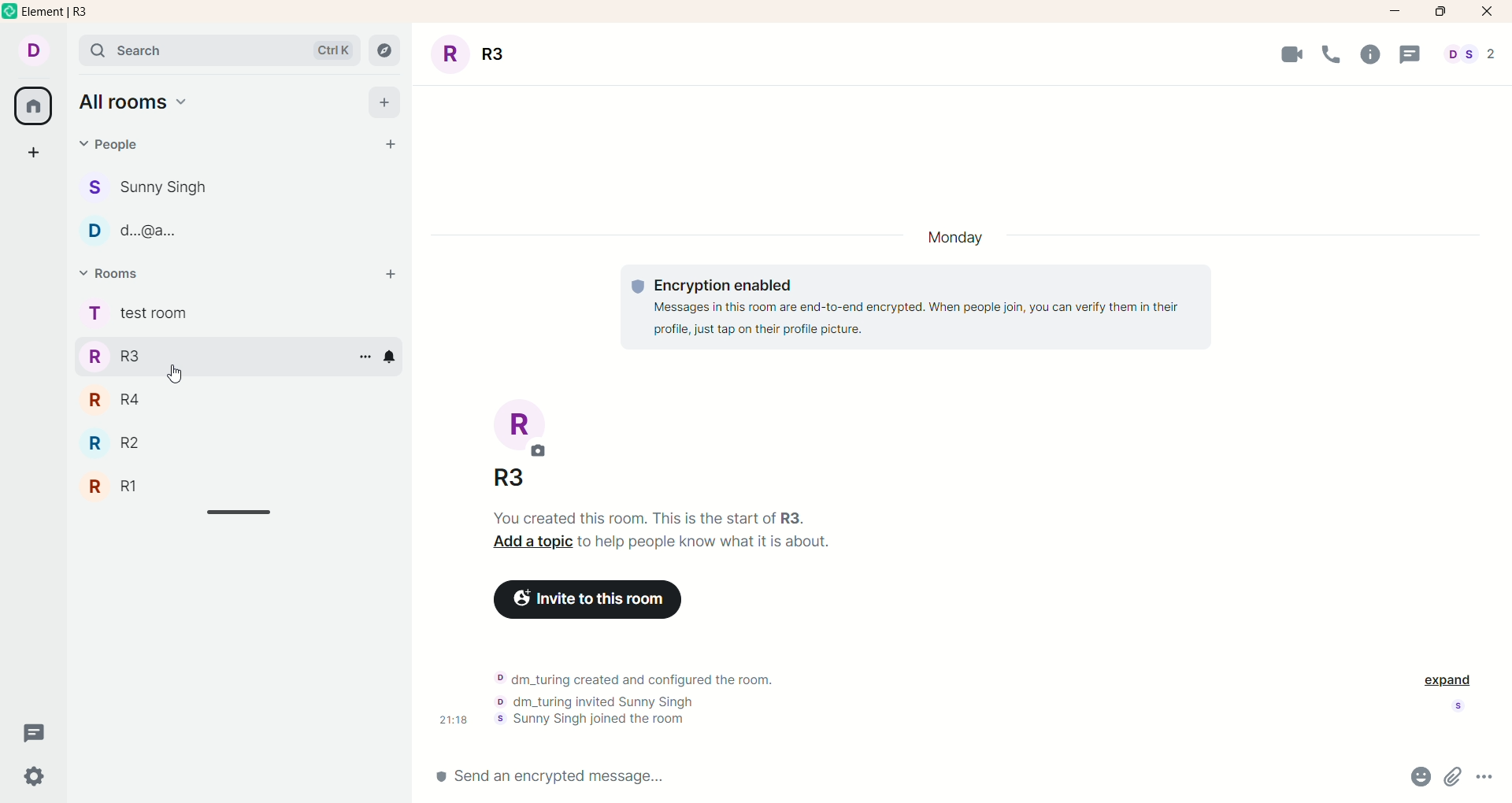  I want to click on minimize, so click(1397, 9).